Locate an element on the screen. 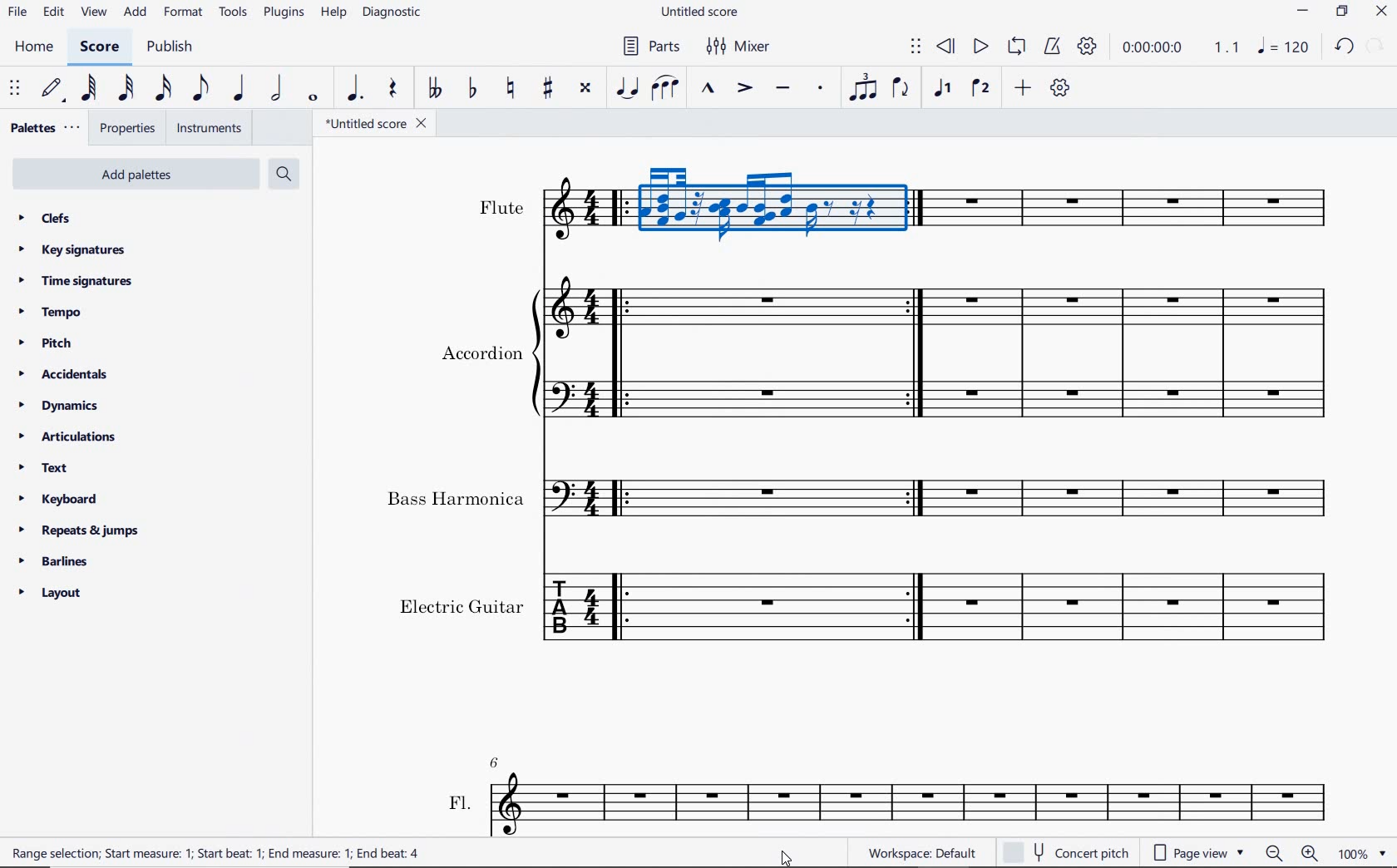 This screenshot has height=868, width=1397. palettes is located at coordinates (43, 131).